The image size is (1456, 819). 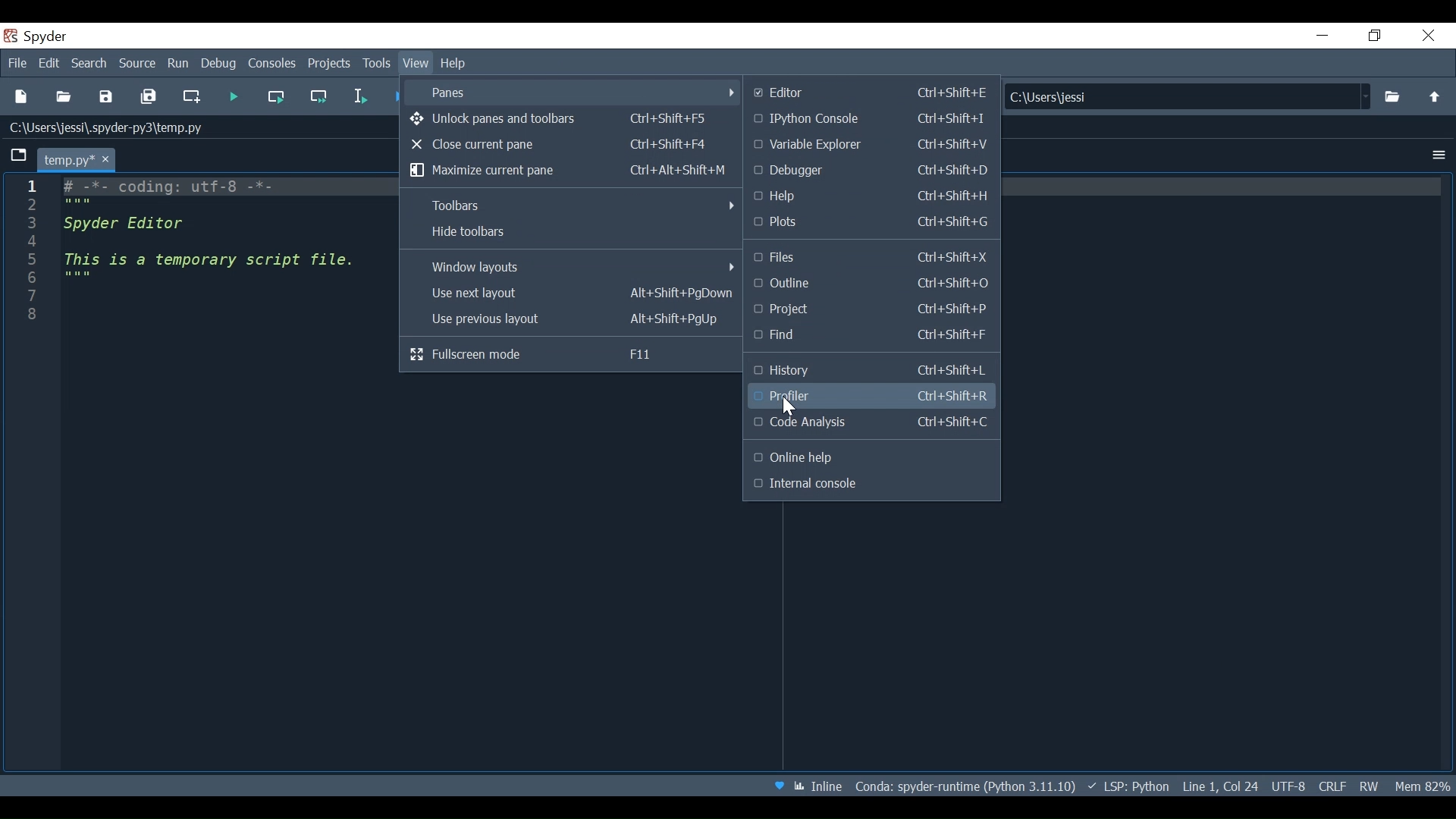 What do you see at coordinates (219, 64) in the screenshot?
I see `Debug` at bounding box center [219, 64].